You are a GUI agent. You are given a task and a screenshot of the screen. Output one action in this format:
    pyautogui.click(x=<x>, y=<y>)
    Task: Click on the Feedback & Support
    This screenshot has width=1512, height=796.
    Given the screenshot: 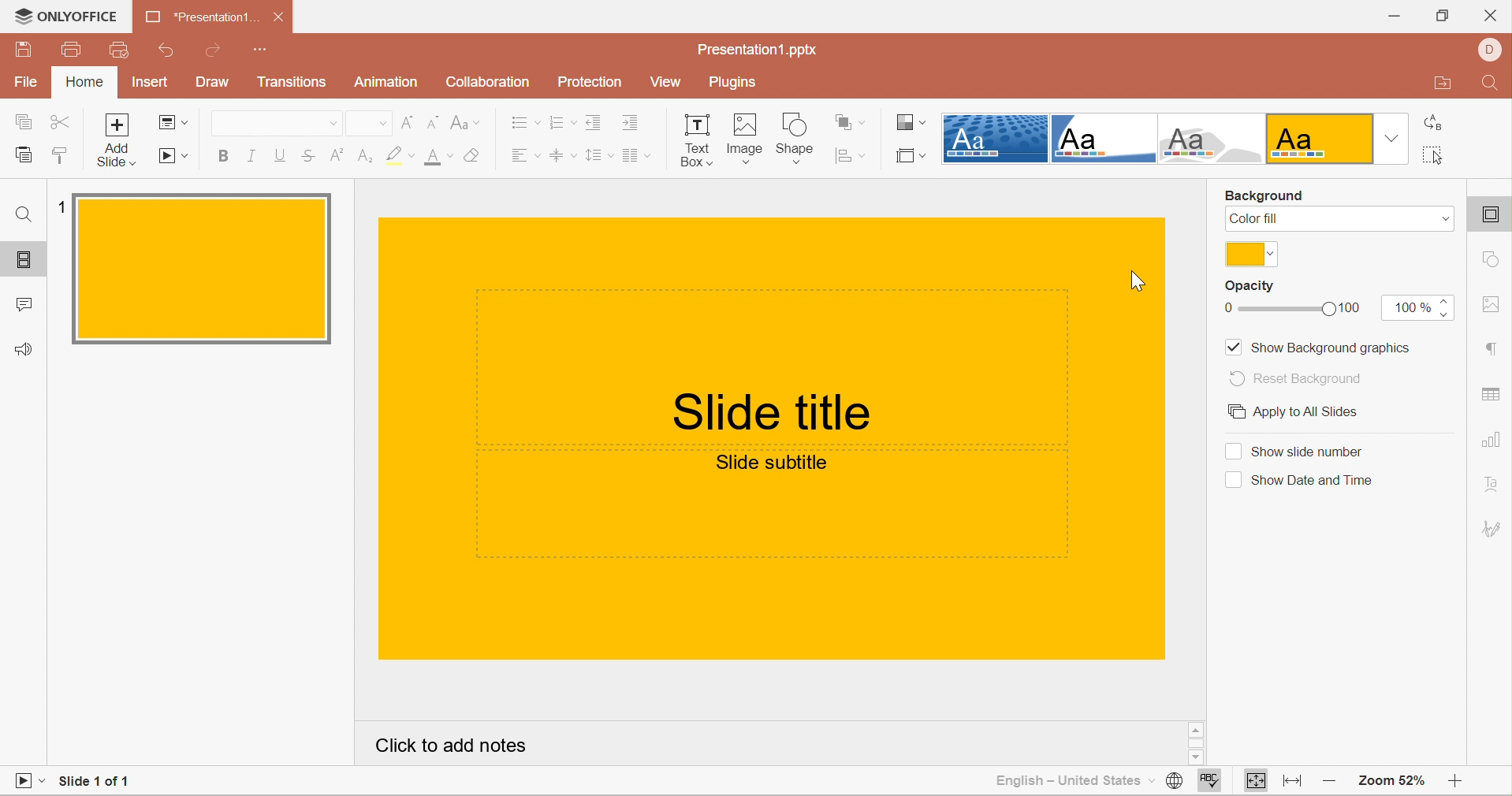 What is the action you would take?
    pyautogui.click(x=25, y=350)
    